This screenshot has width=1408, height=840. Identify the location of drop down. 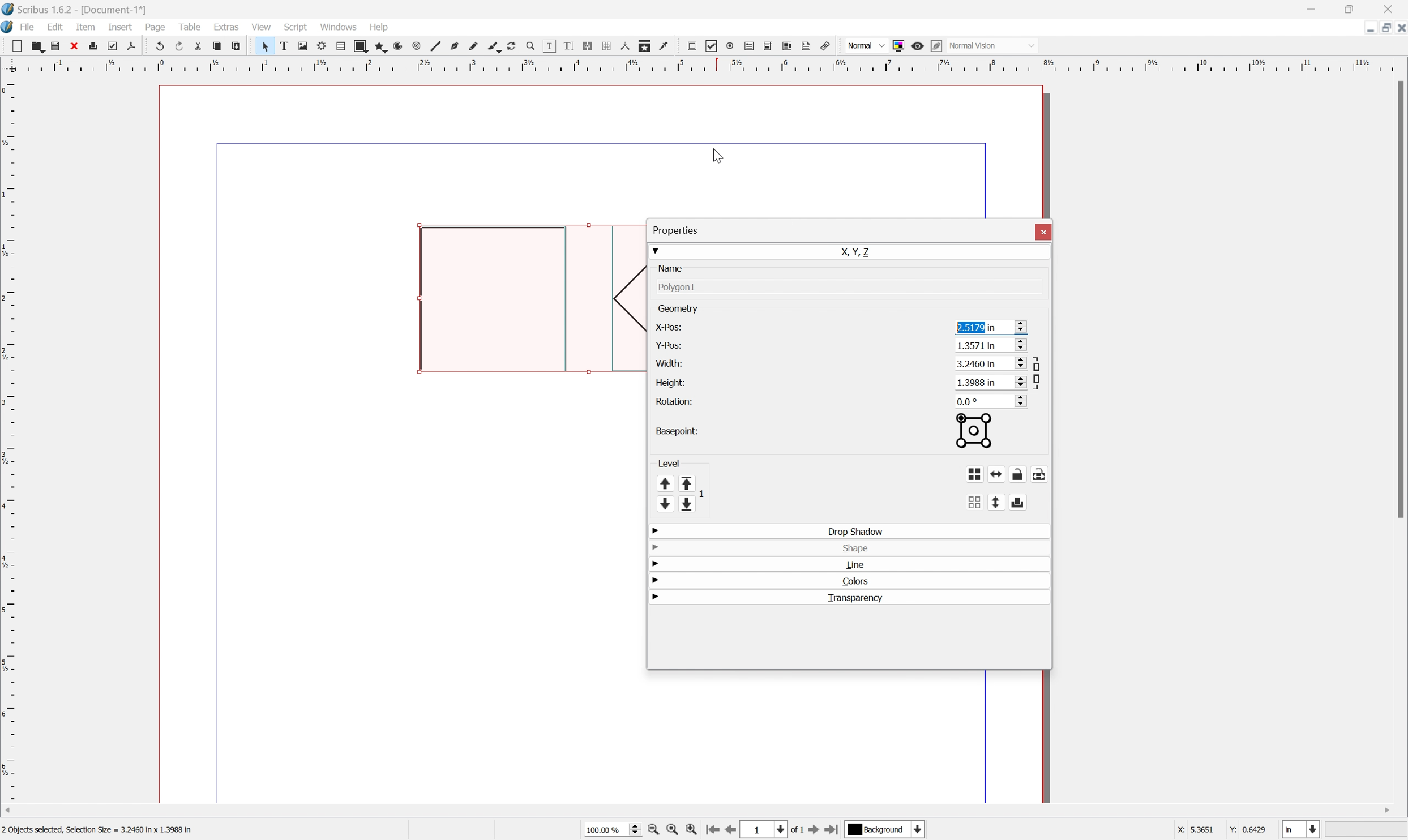
(656, 545).